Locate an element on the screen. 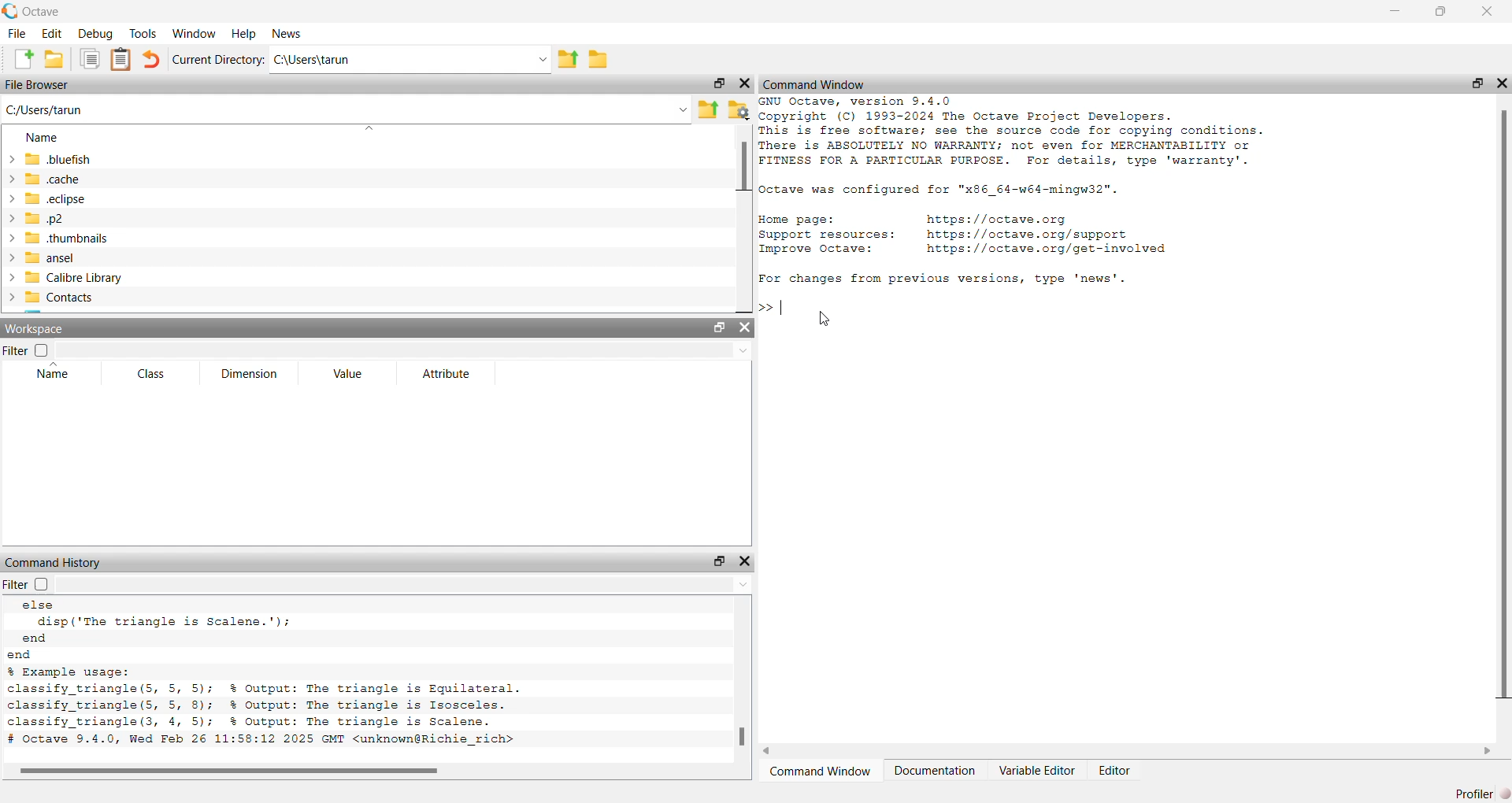 The height and width of the screenshot is (803, 1512). browse directories is located at coordinates (598, 58).